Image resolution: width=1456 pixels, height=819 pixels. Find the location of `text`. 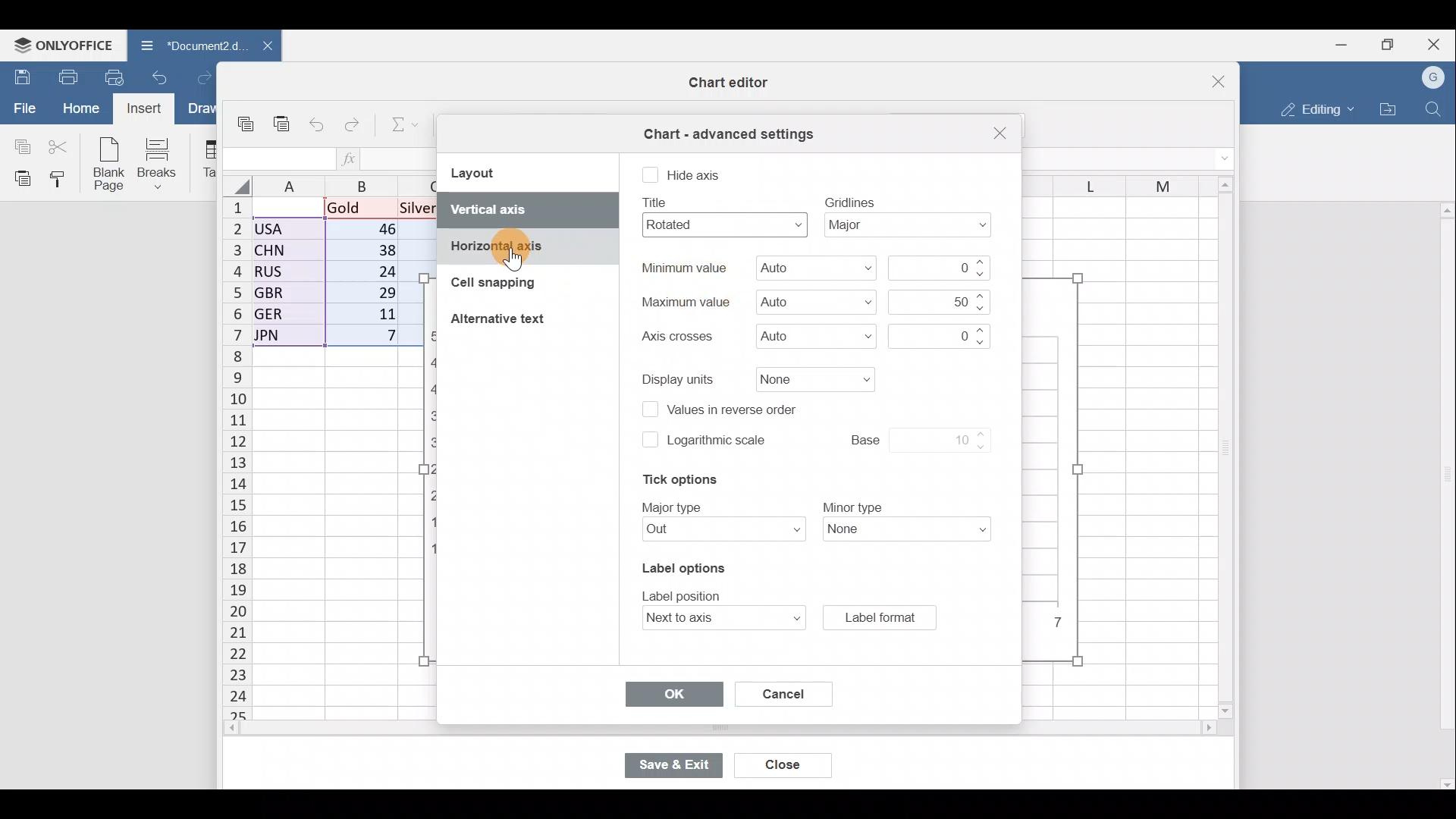

text is located at coordinates (851, 505).